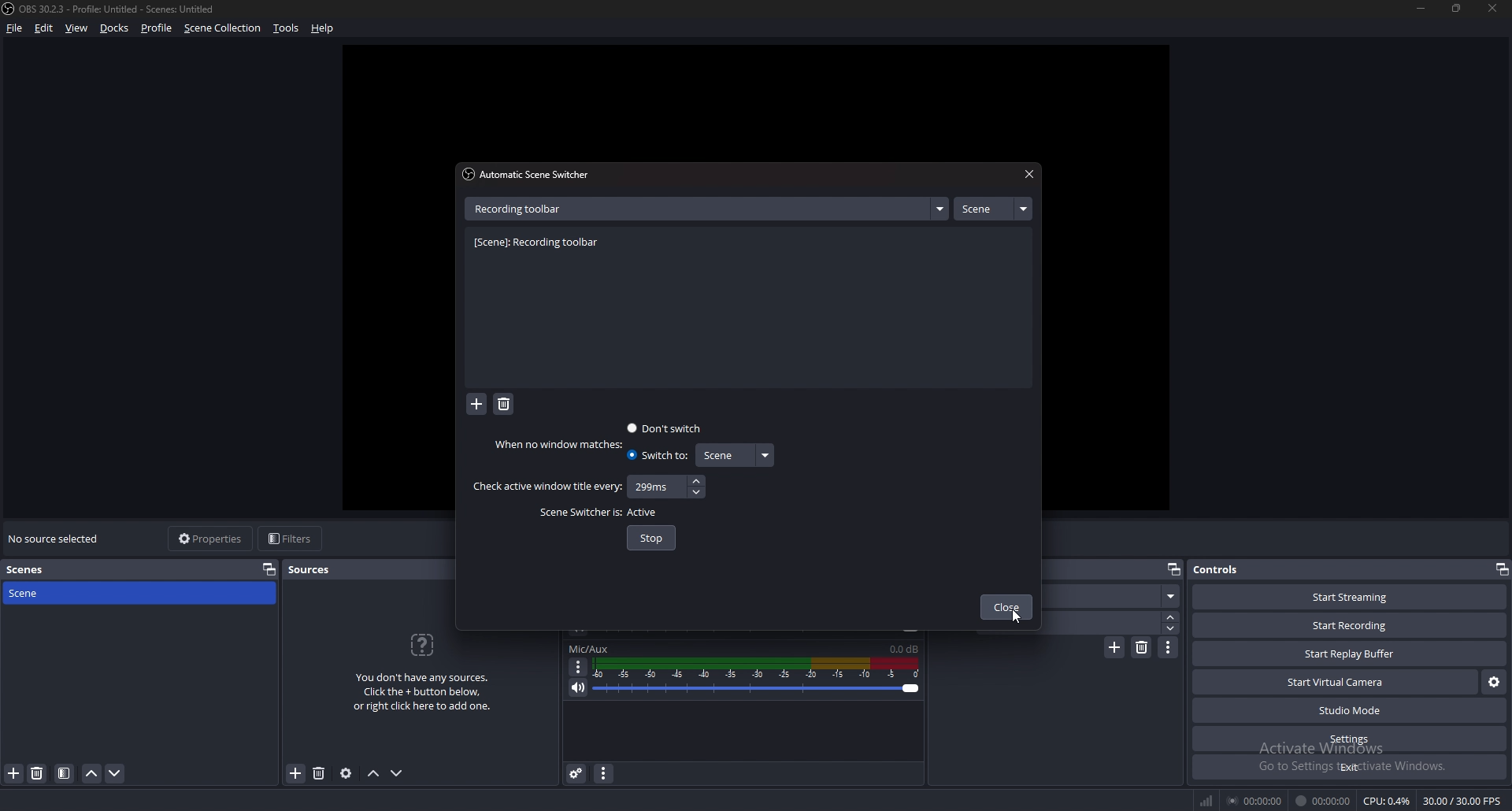 The height and width of the screenshot is (811, 1512). Describe the element at coordinates (1173, 570) in the screenshot. I see `pop out` at that location.